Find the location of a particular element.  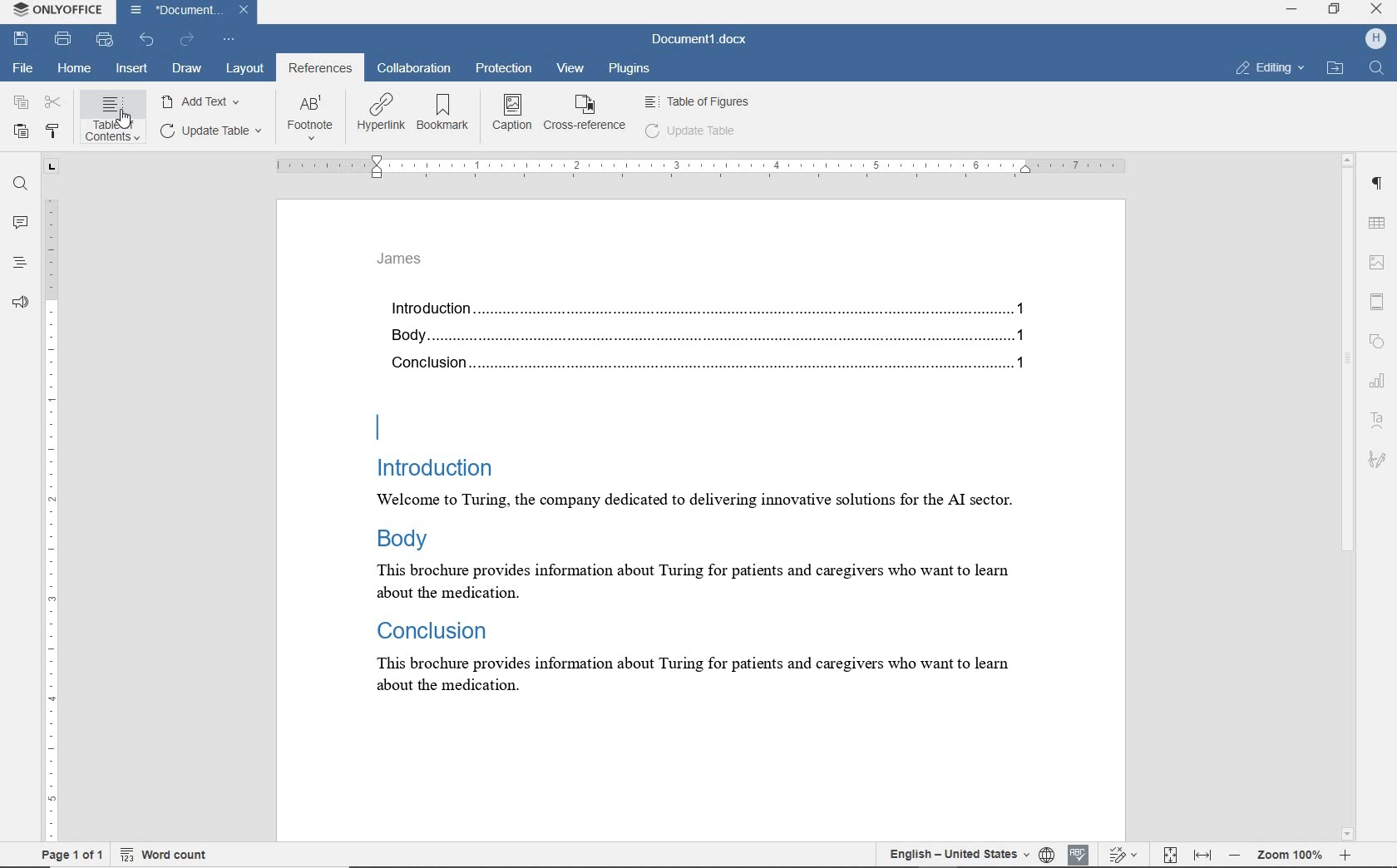

minimize is located at coordinates (1295, 11).